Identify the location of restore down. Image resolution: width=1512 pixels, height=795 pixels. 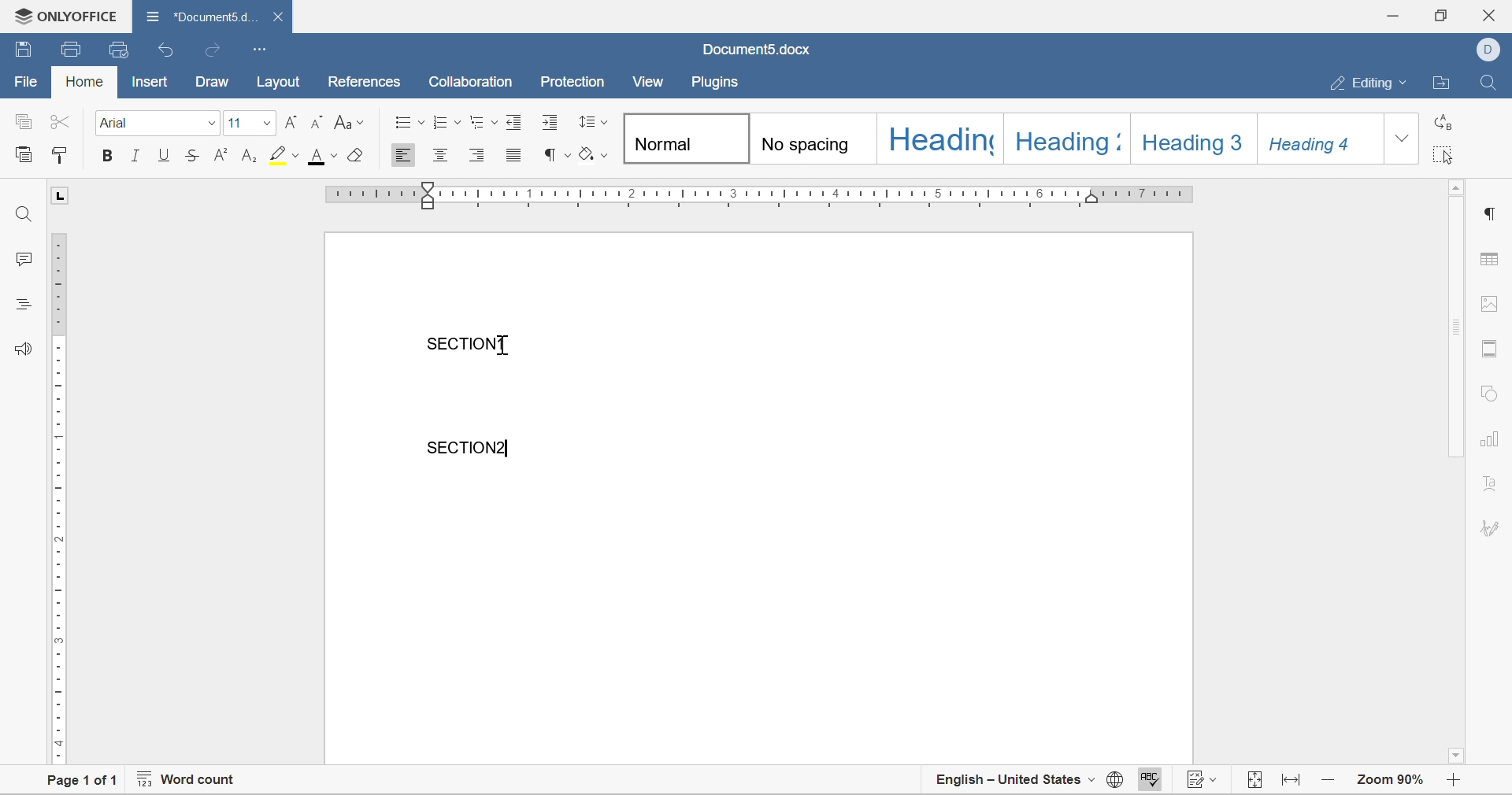
(1439, 14).